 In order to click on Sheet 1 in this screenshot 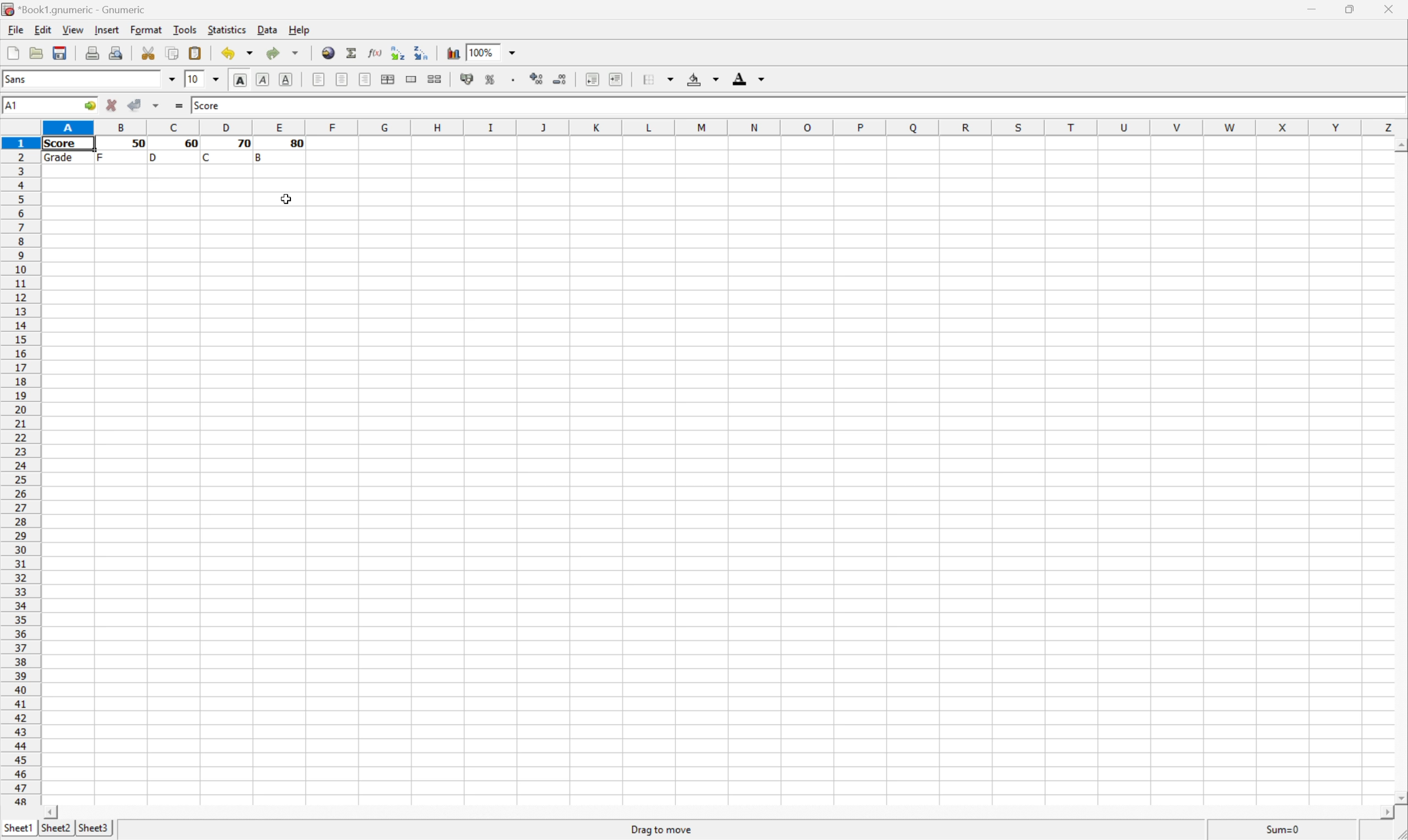, I will do `click(18, 828)`.